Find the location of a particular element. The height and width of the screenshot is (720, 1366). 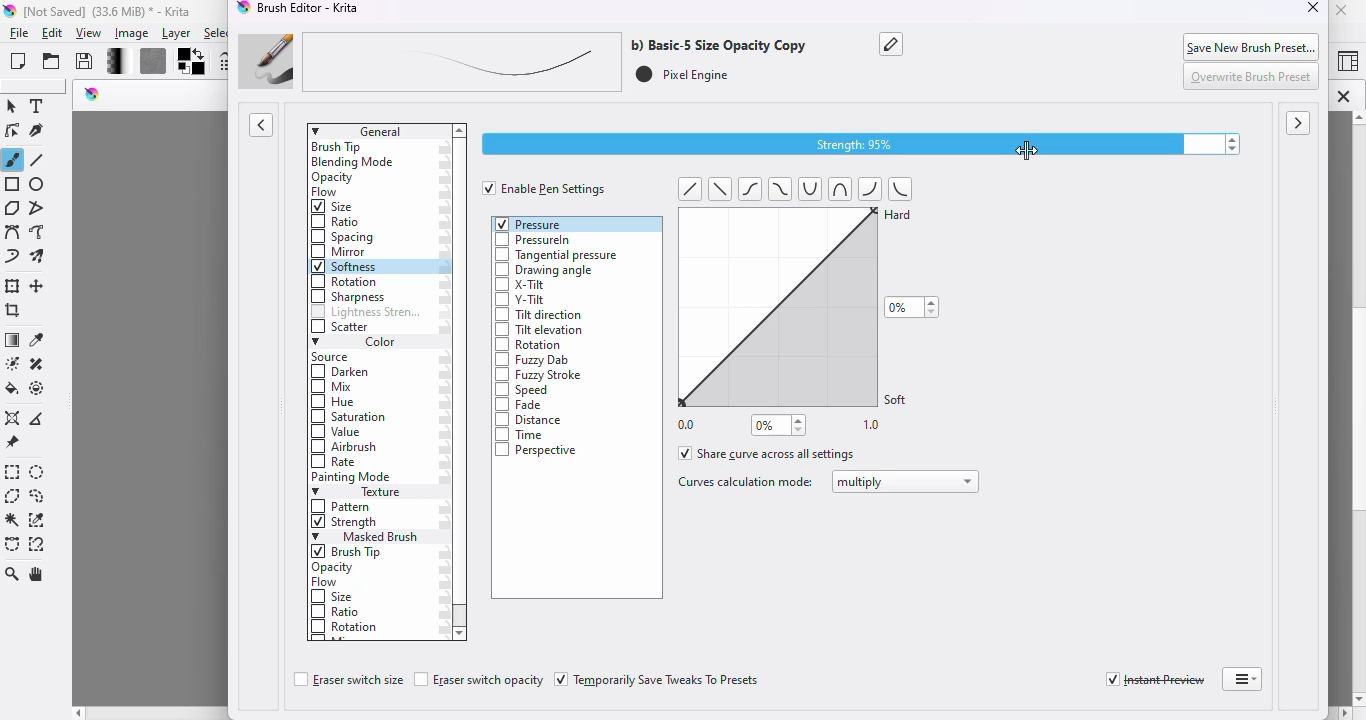

half curve is located at coordinates (872, 188).